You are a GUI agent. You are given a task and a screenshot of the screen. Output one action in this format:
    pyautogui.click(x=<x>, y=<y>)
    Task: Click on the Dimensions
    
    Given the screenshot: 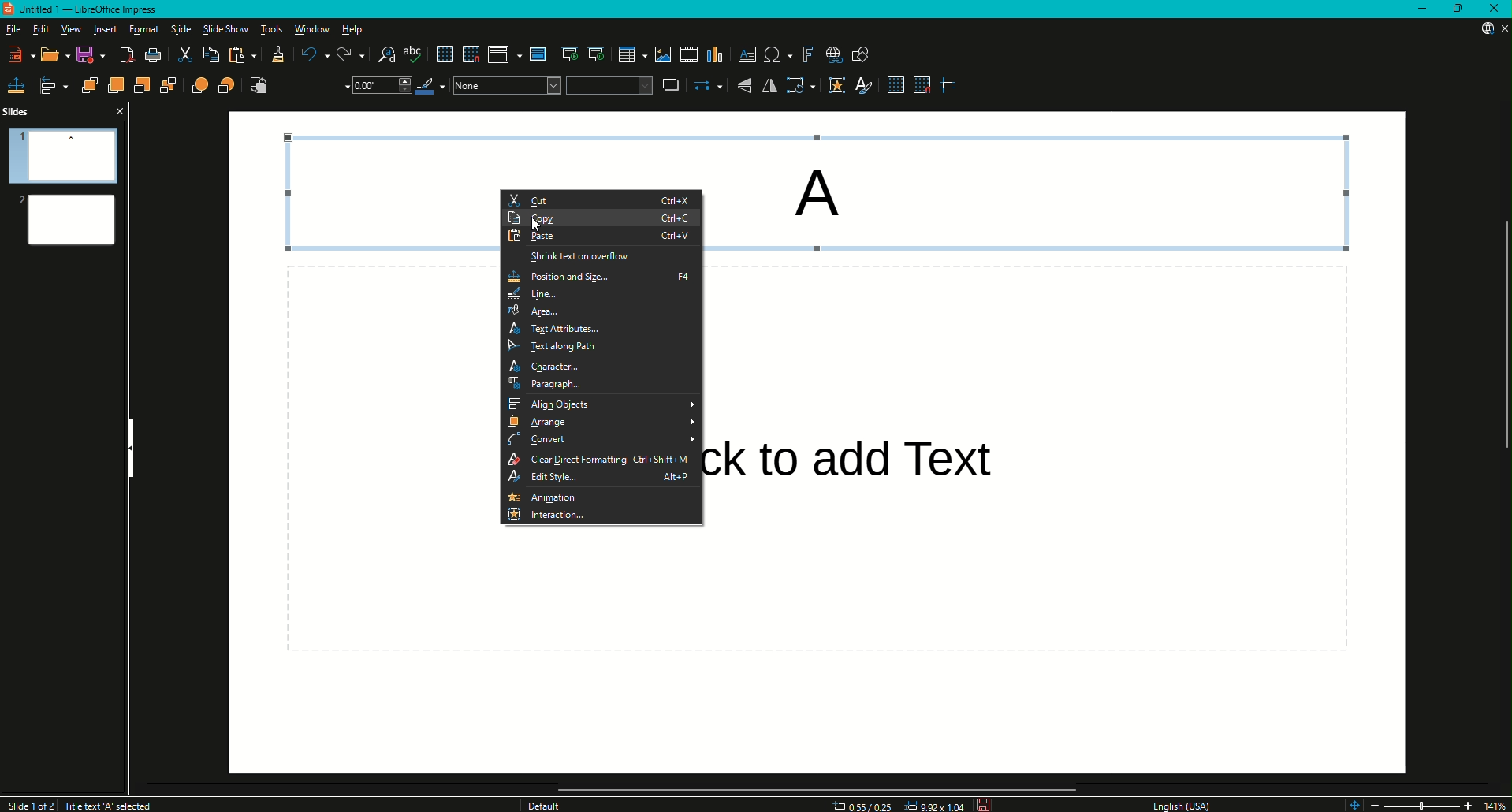 What is the action you would take?
    pyautogui.click(x=897, y=806)
    